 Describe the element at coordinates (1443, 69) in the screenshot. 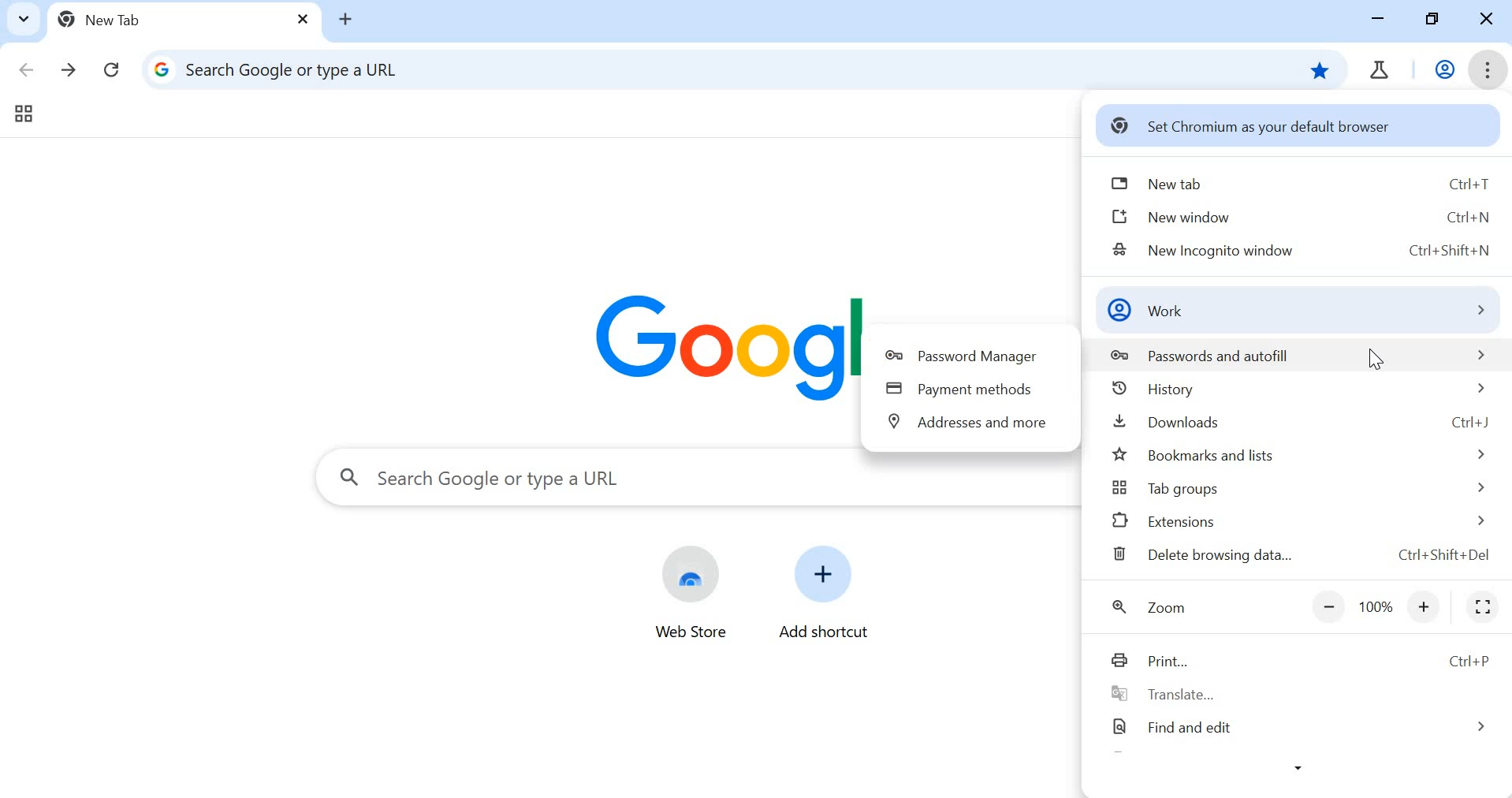

I see `work` at that location.